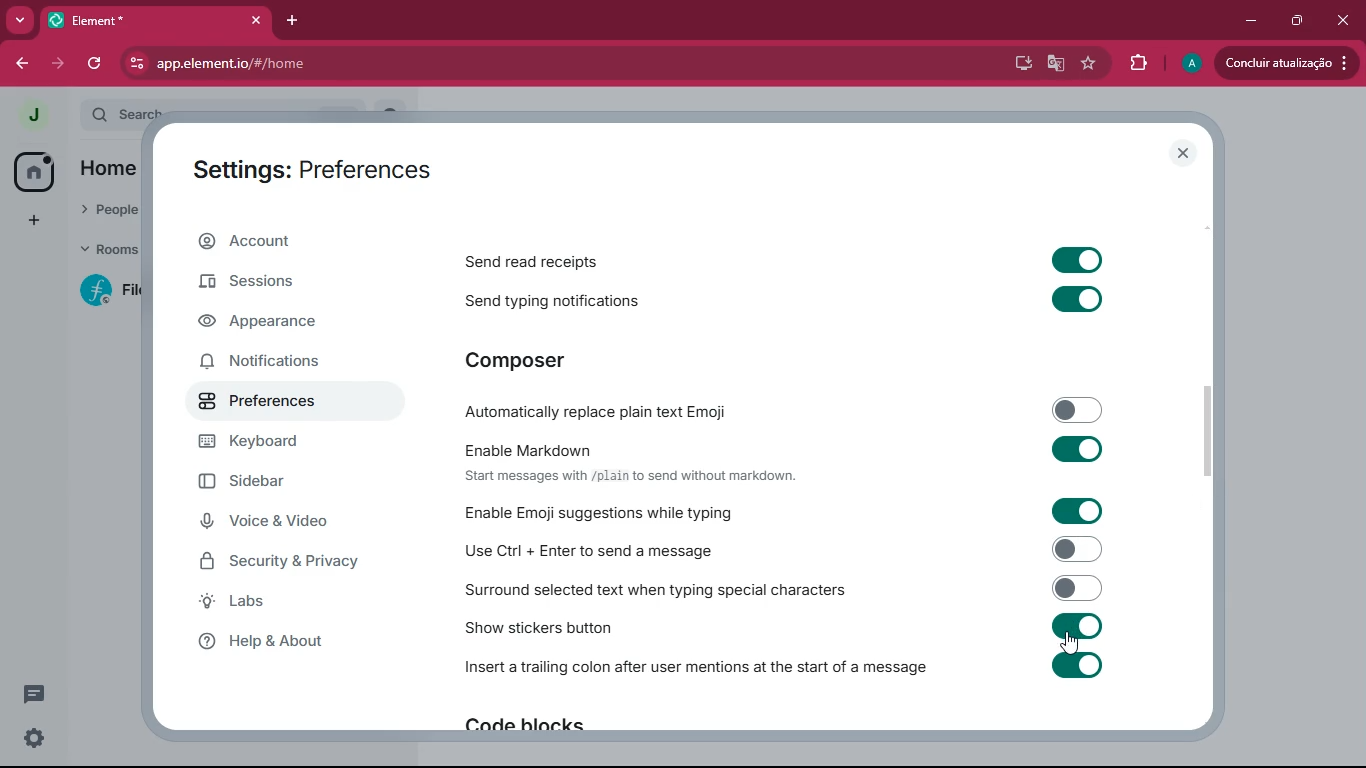 Image resolution: width=1366 pixels, height=768 pixels. What do you see at coordinates (283, 324) in the screenshot?
I see `appearance` at bounding box center [283, 324].